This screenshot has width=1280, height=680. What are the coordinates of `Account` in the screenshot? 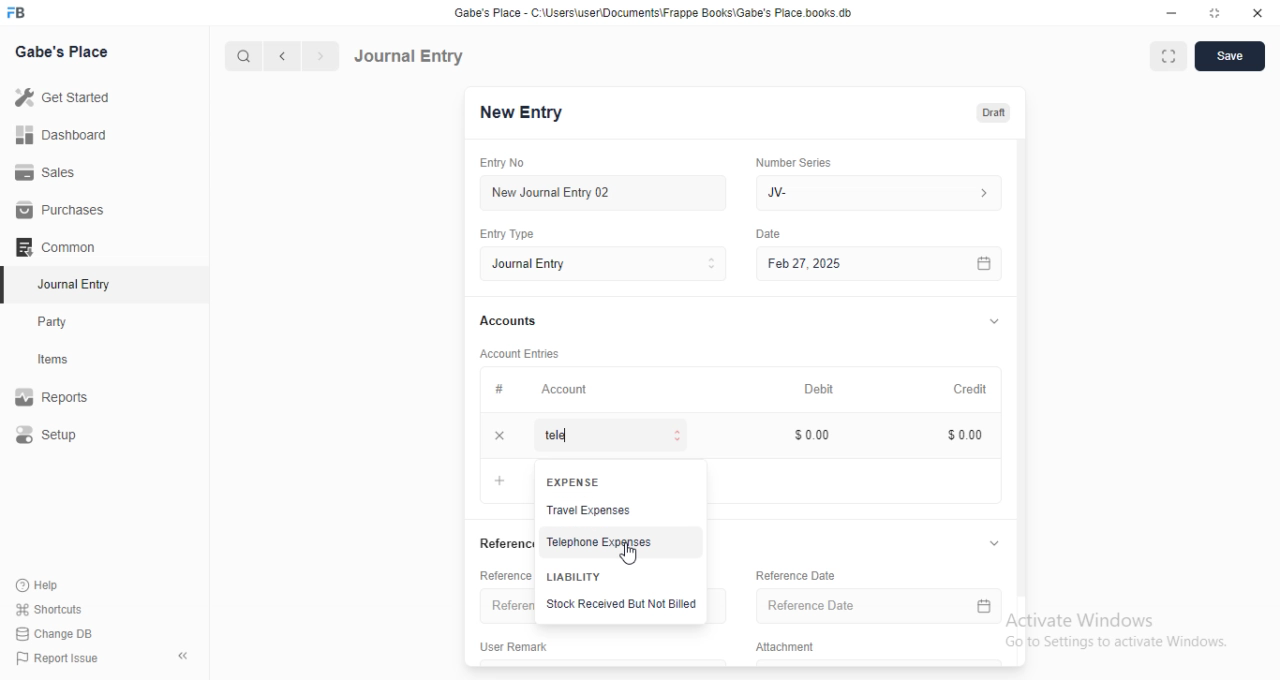 It's located at (565, 390).